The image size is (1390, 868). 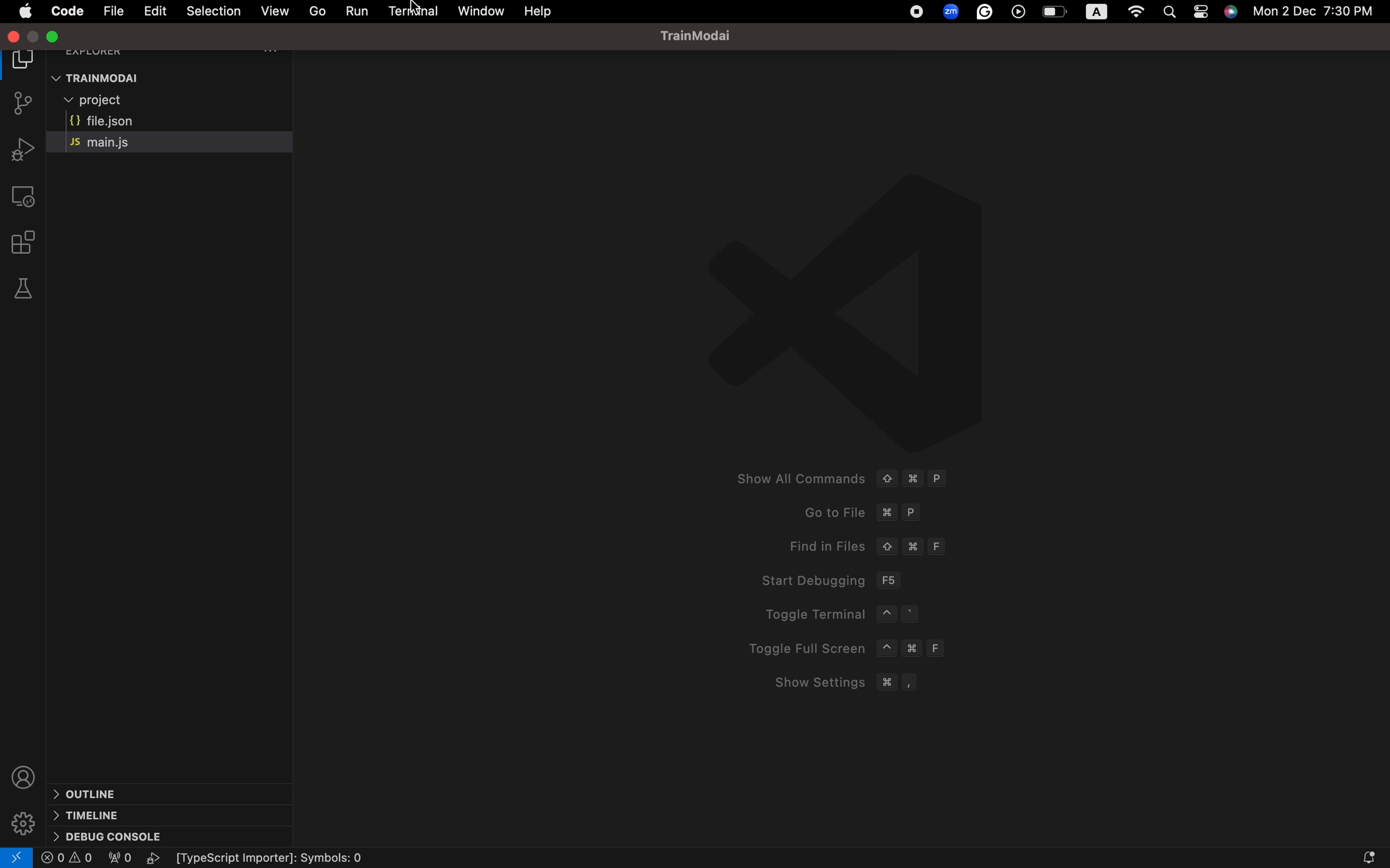 I want to click on close, so click(x=14, y=37).